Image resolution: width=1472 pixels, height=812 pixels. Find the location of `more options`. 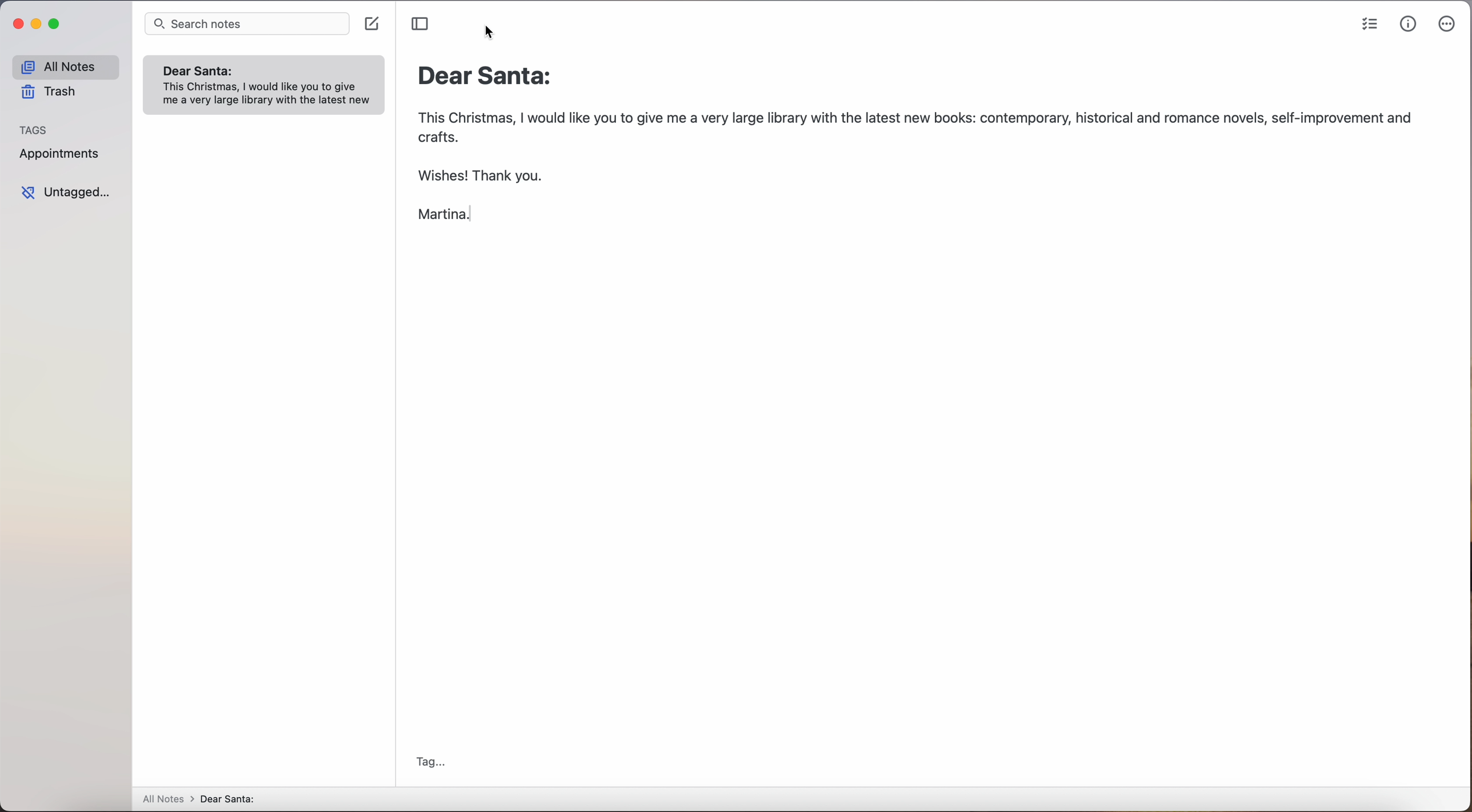

more options is located at coordinates (1449, 23).